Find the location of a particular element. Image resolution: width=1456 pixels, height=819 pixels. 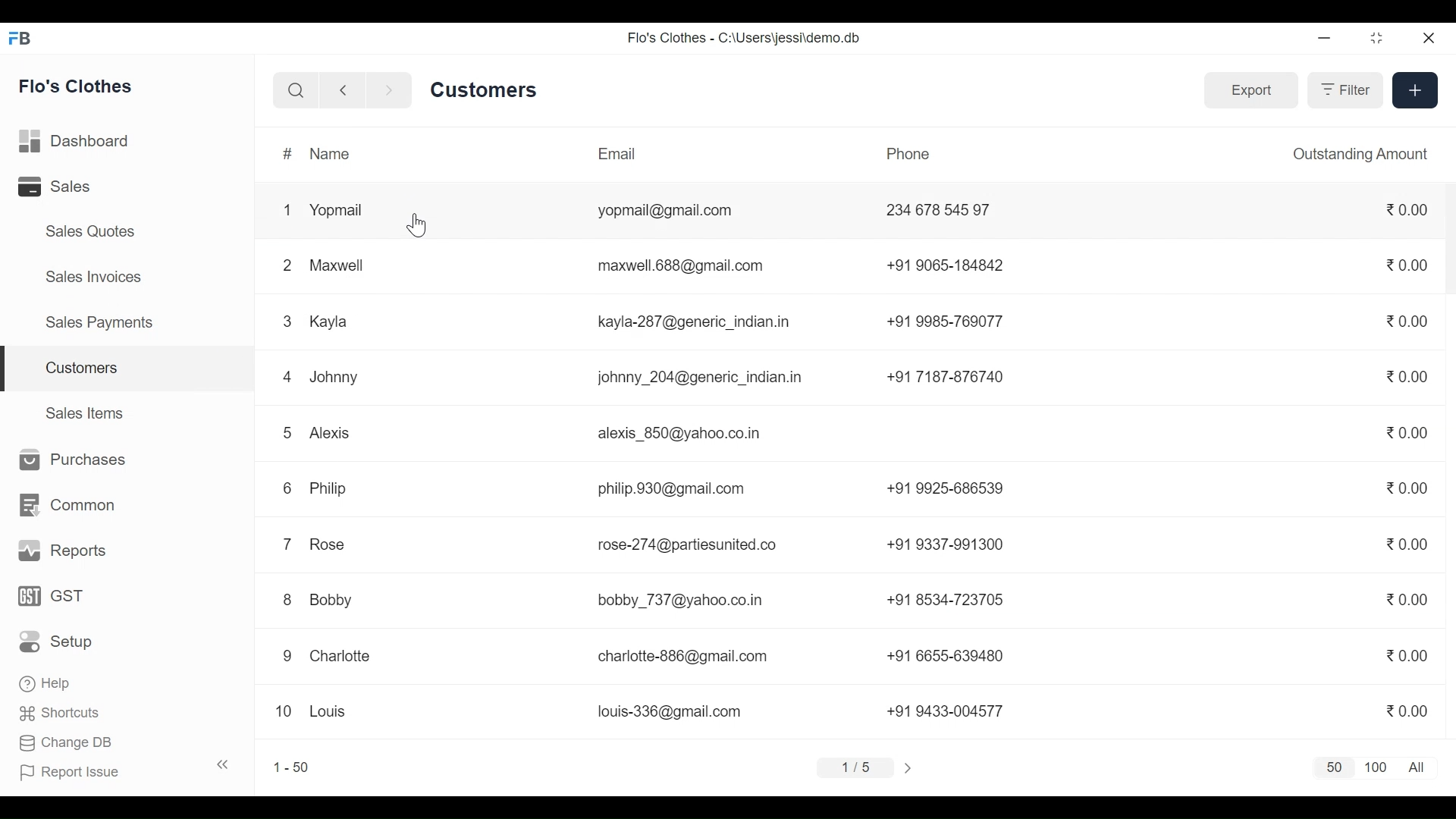

louis-336@gmail.com is located at coordinates (670, 713).